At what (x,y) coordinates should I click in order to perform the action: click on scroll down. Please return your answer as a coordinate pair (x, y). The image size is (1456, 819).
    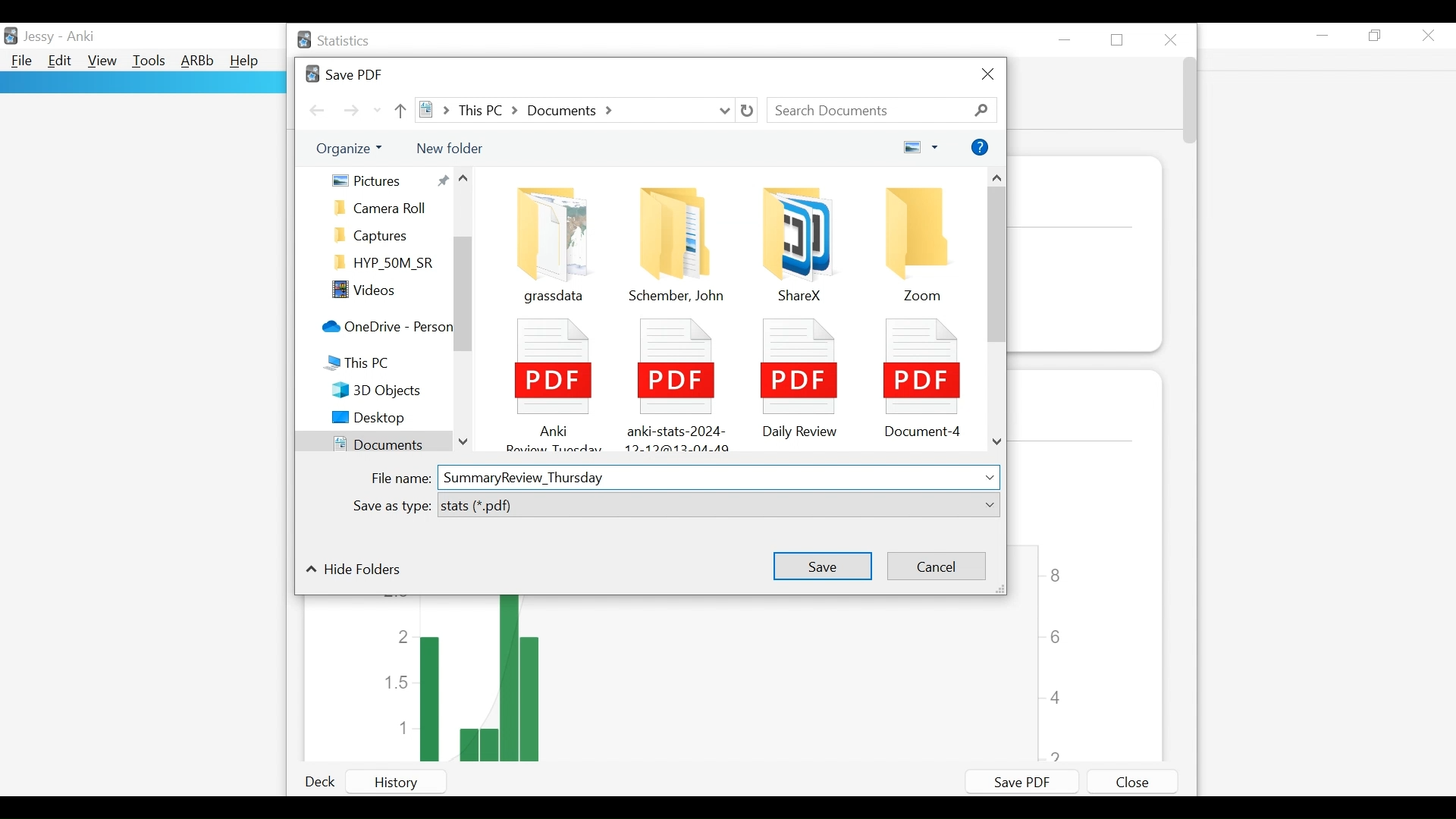
    Looking at the image, I should click on (464, 438).